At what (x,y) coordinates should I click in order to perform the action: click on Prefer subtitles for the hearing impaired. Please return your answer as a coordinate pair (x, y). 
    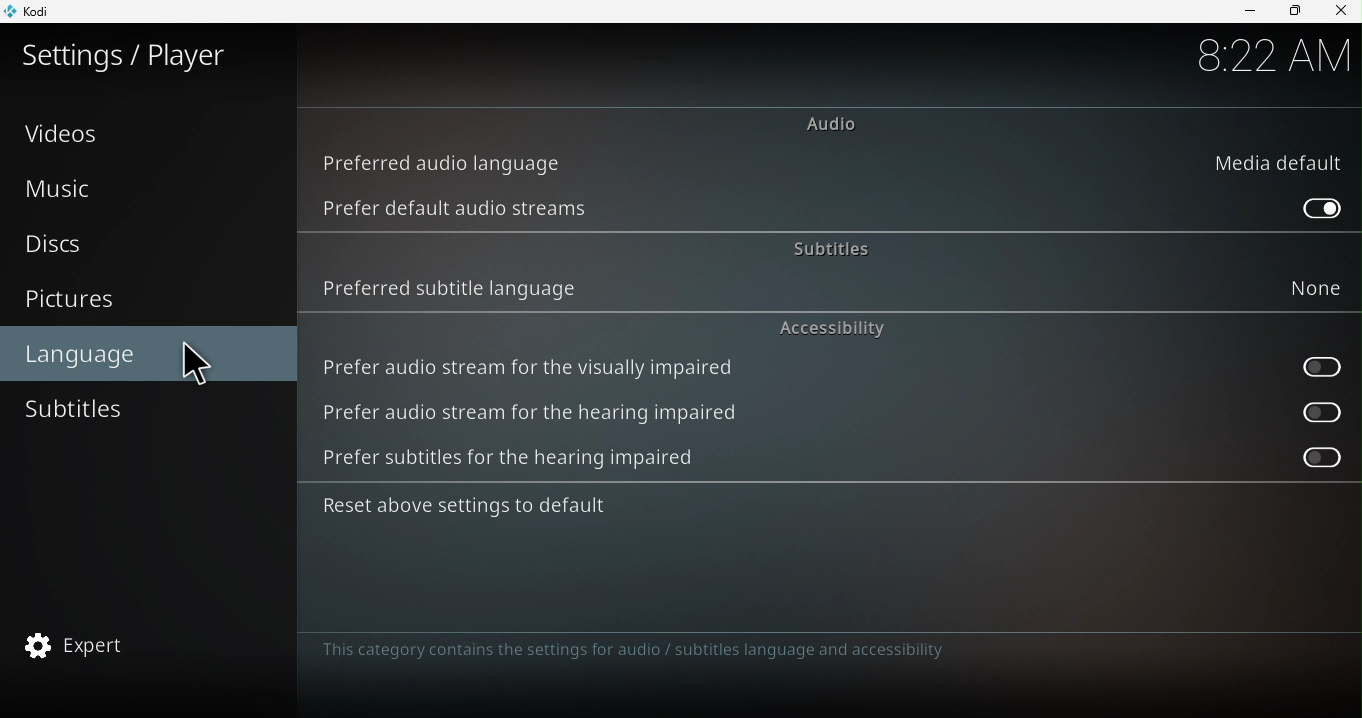
    Looking at the image, I should click on (531, 462).